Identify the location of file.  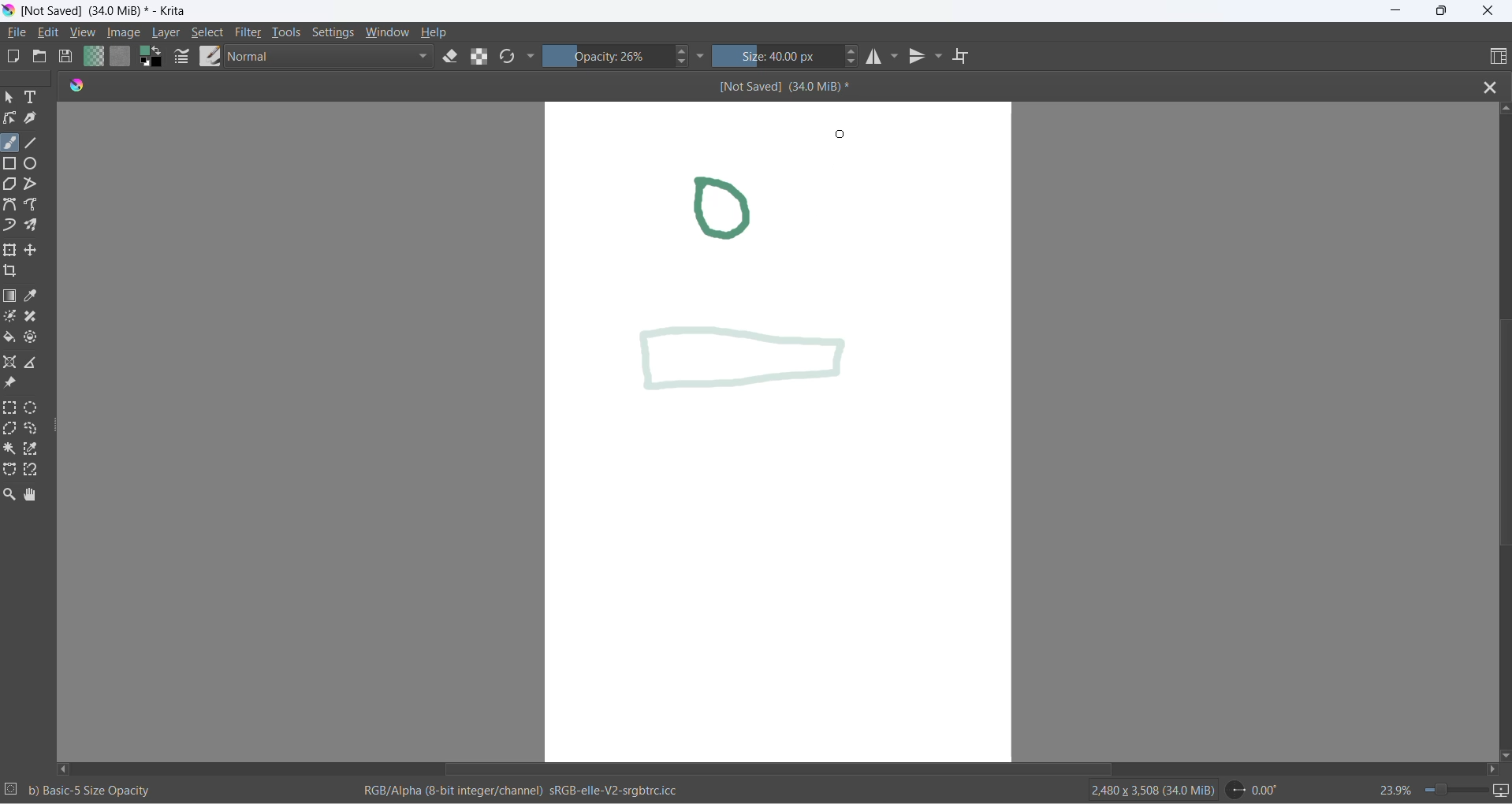
(22, 34).